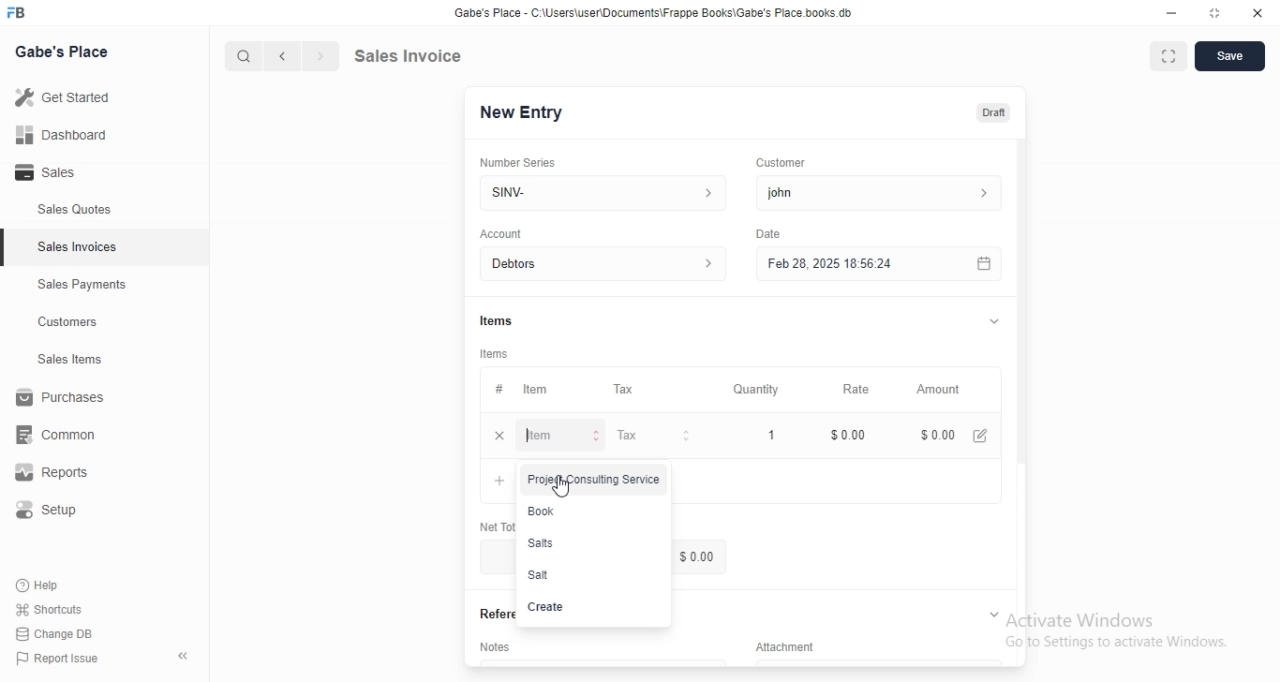  Describe the element at coordinates (79, 247) in the screenshot. I see `Sales Invoices` at that location.